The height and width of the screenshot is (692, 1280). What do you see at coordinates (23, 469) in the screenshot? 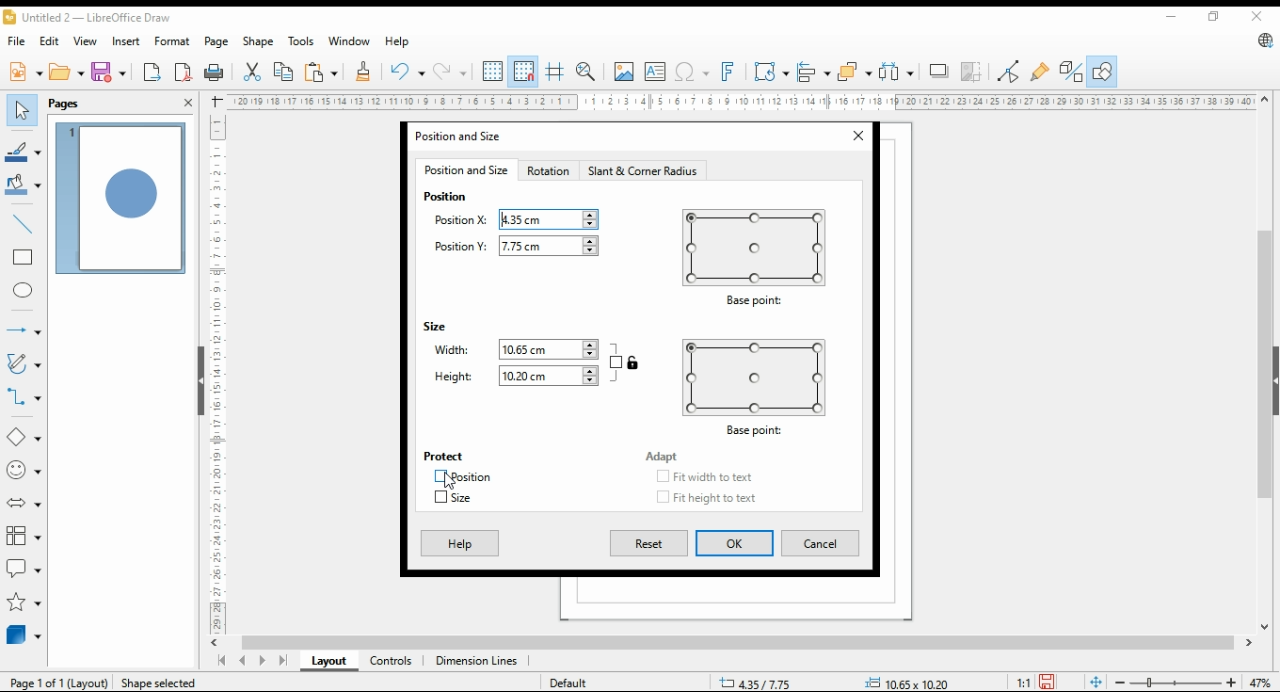
I see `symbol shapes` at bounding box center [23, 469].